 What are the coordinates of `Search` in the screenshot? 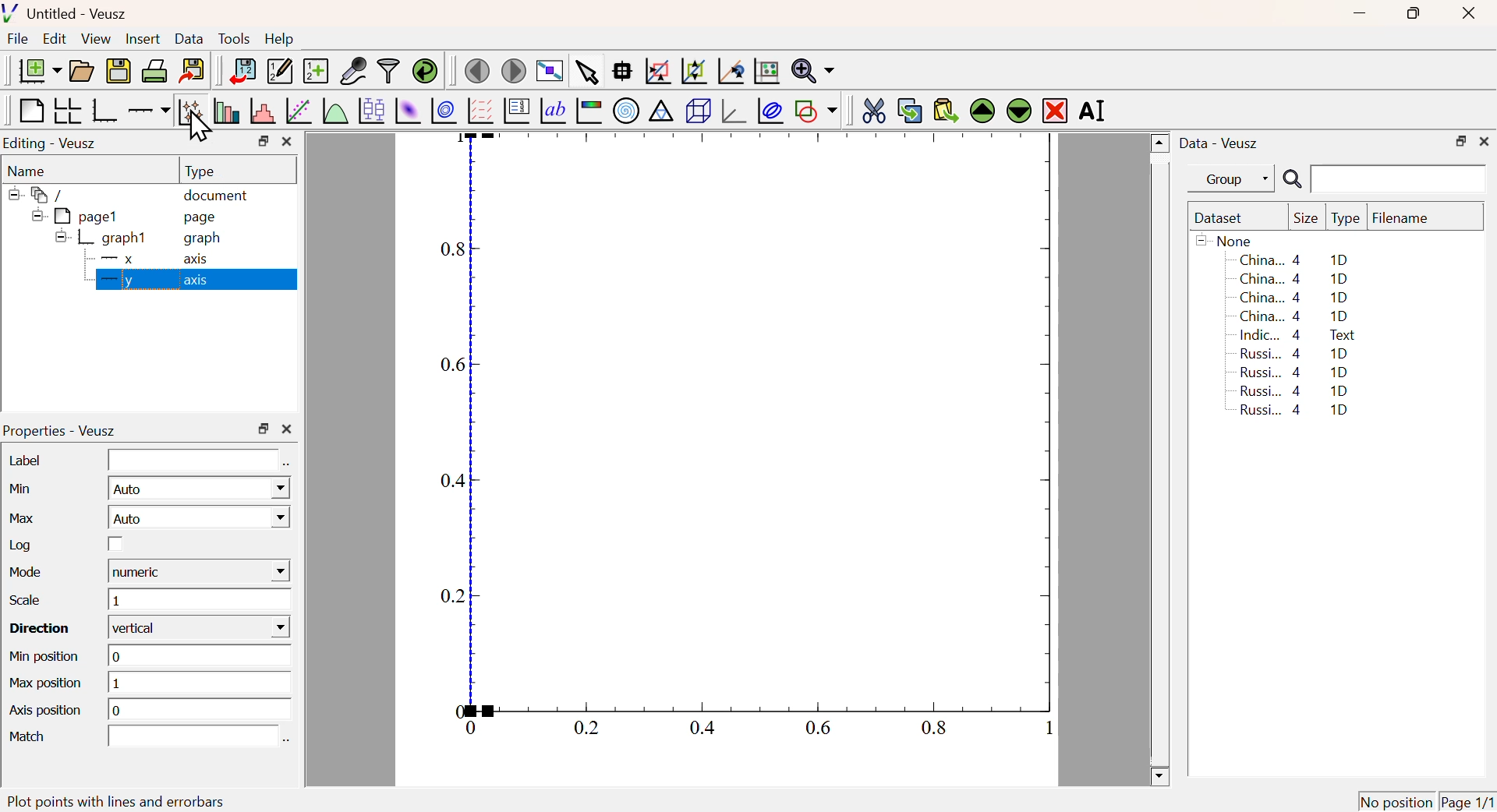 It's located at (1292, 180).